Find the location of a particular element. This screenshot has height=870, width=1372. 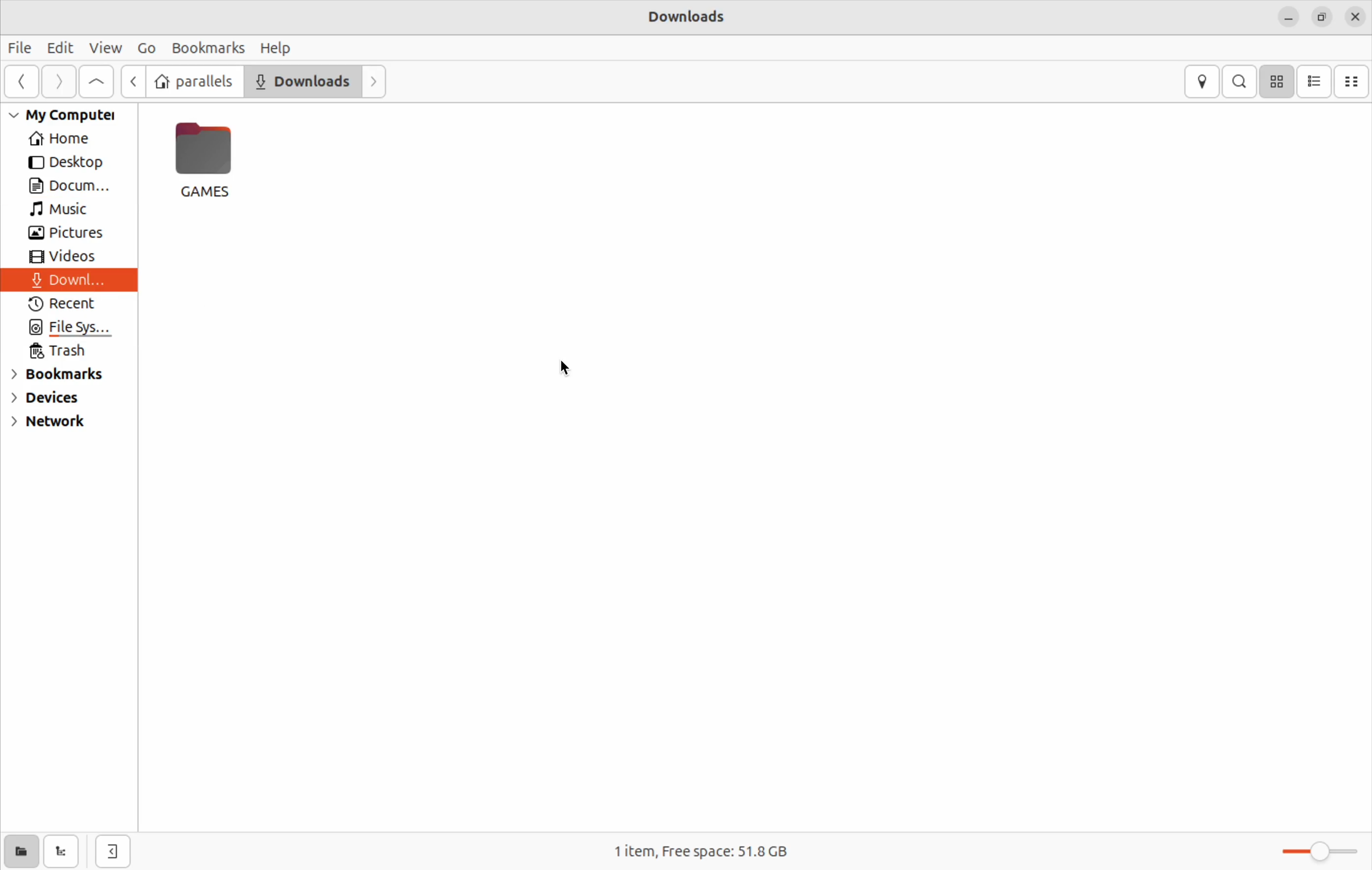

My computer is located at coordinates (69, 116).